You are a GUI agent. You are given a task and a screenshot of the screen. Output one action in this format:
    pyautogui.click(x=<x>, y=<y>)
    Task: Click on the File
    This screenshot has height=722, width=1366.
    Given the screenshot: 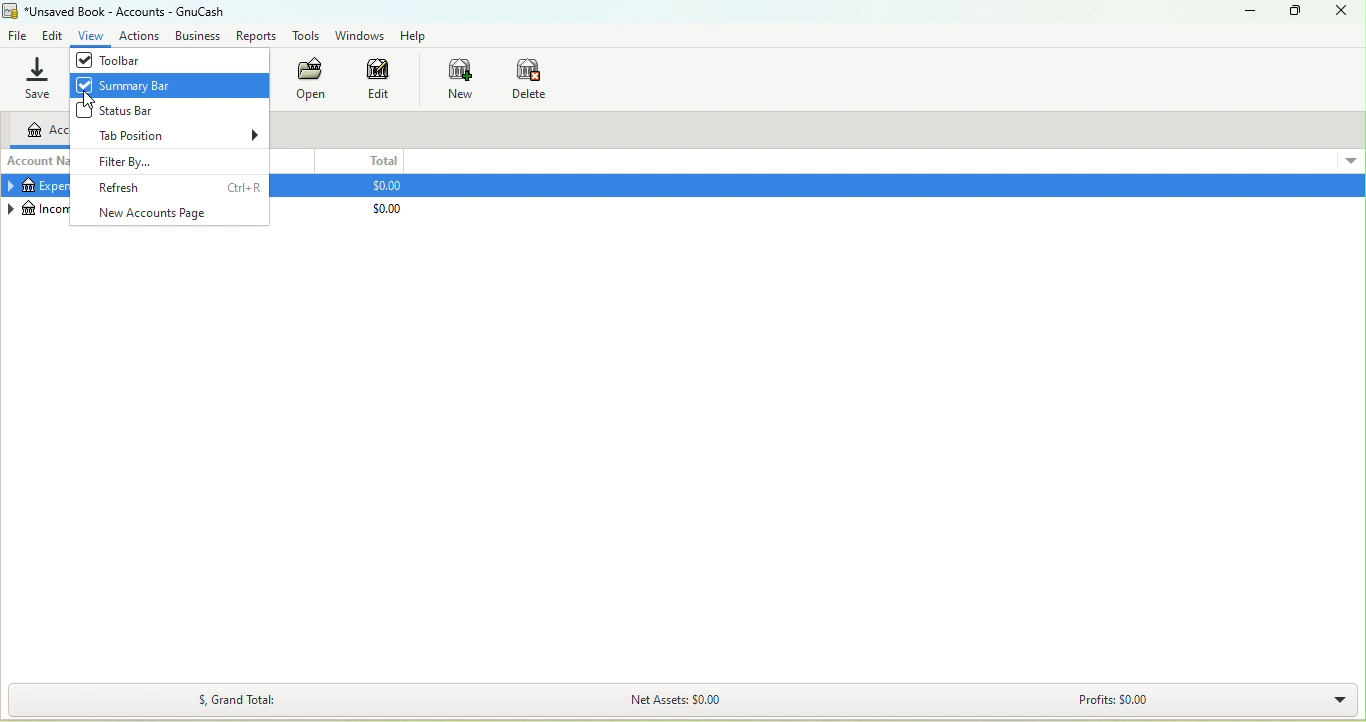 What is the action you would take?
    pyautogui.click(x=18, y=37)
    